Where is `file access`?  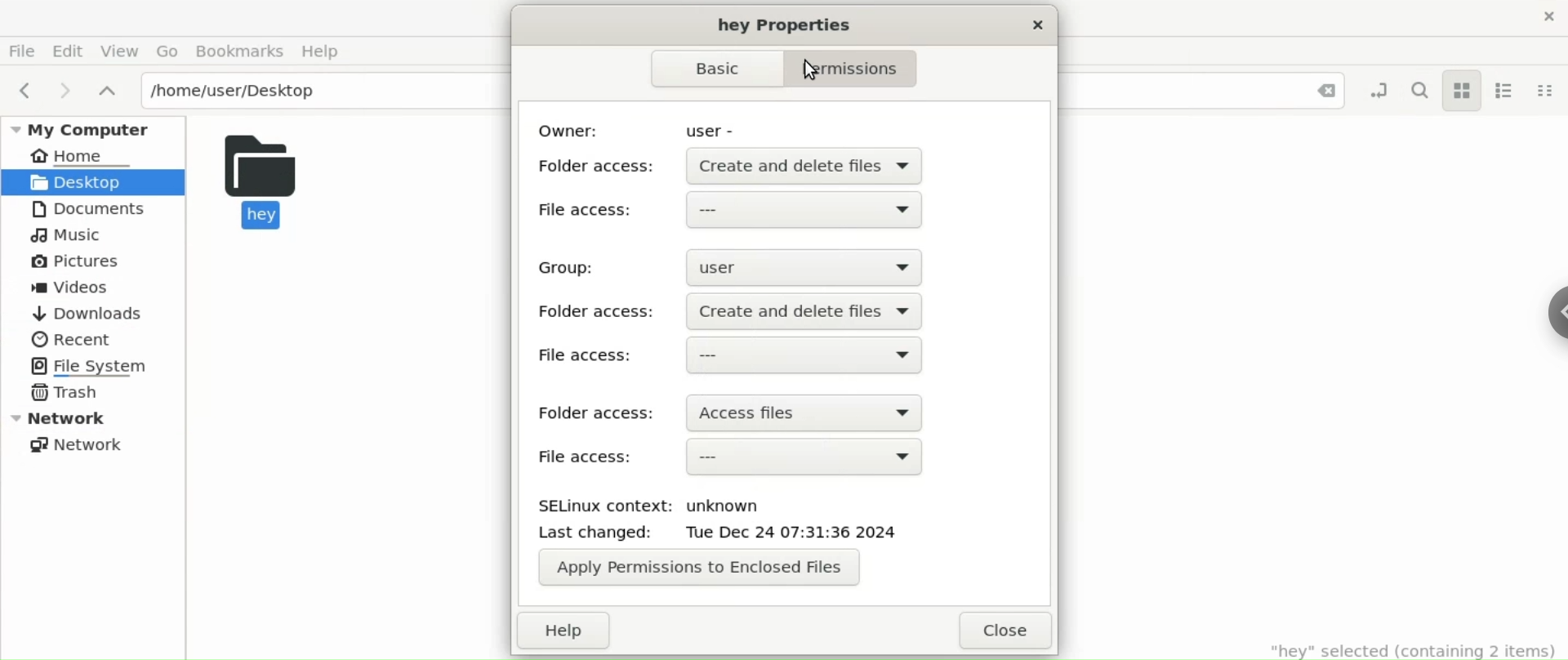
file access is located at coordinates (738, 355).